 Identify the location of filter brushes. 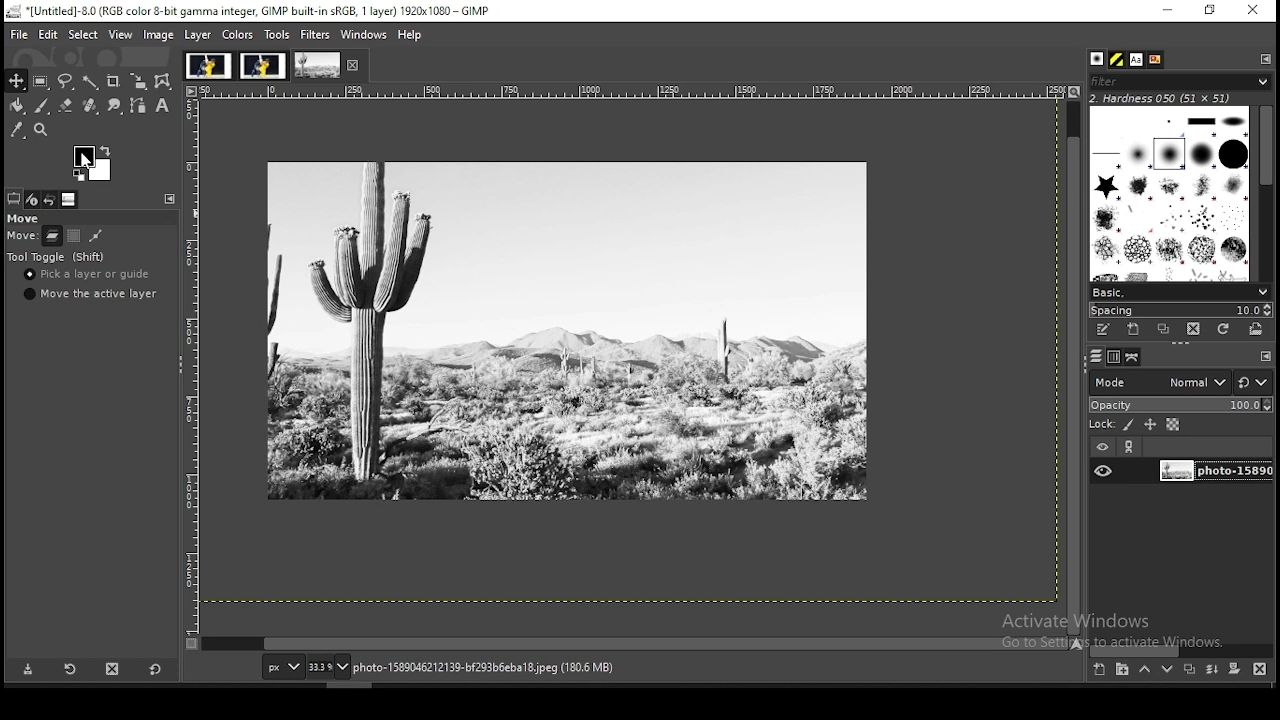
(1180, 81).